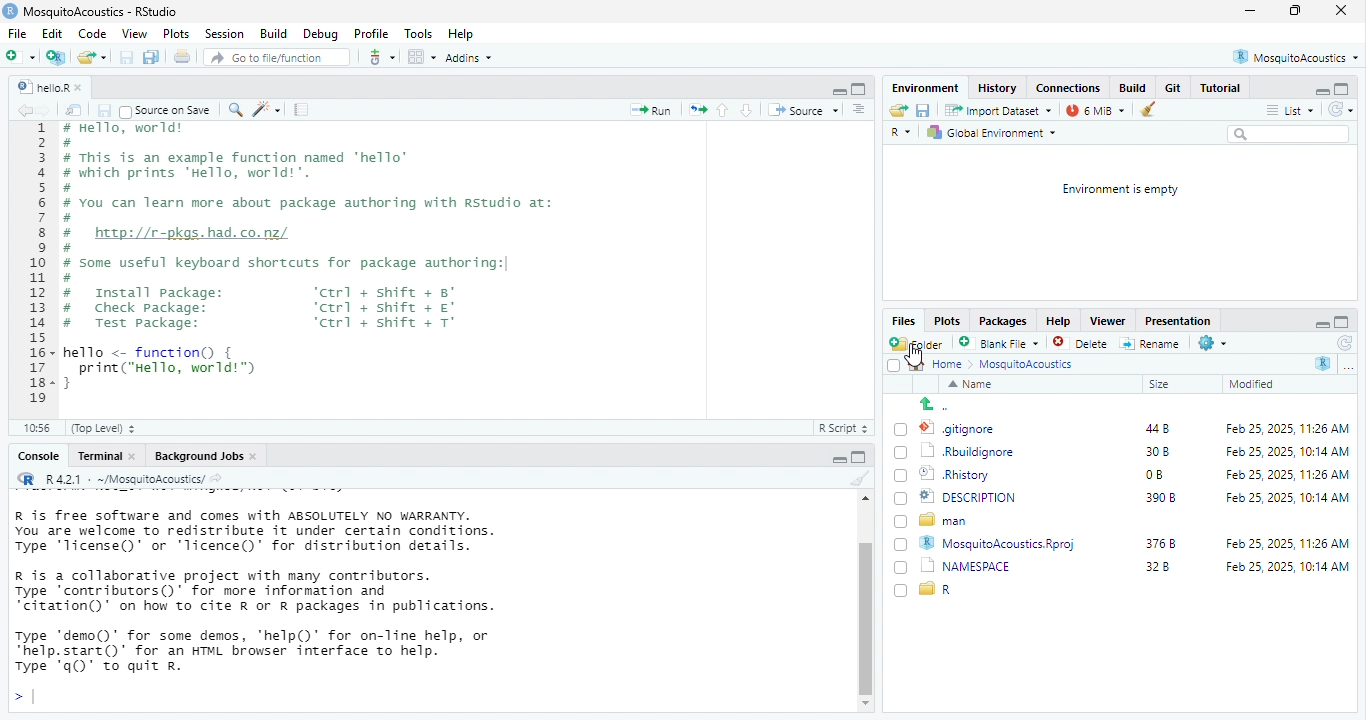 Image resolution: width=1366 pixels, height=720 pixels. I want to click on 3908, so click(1161, 499).